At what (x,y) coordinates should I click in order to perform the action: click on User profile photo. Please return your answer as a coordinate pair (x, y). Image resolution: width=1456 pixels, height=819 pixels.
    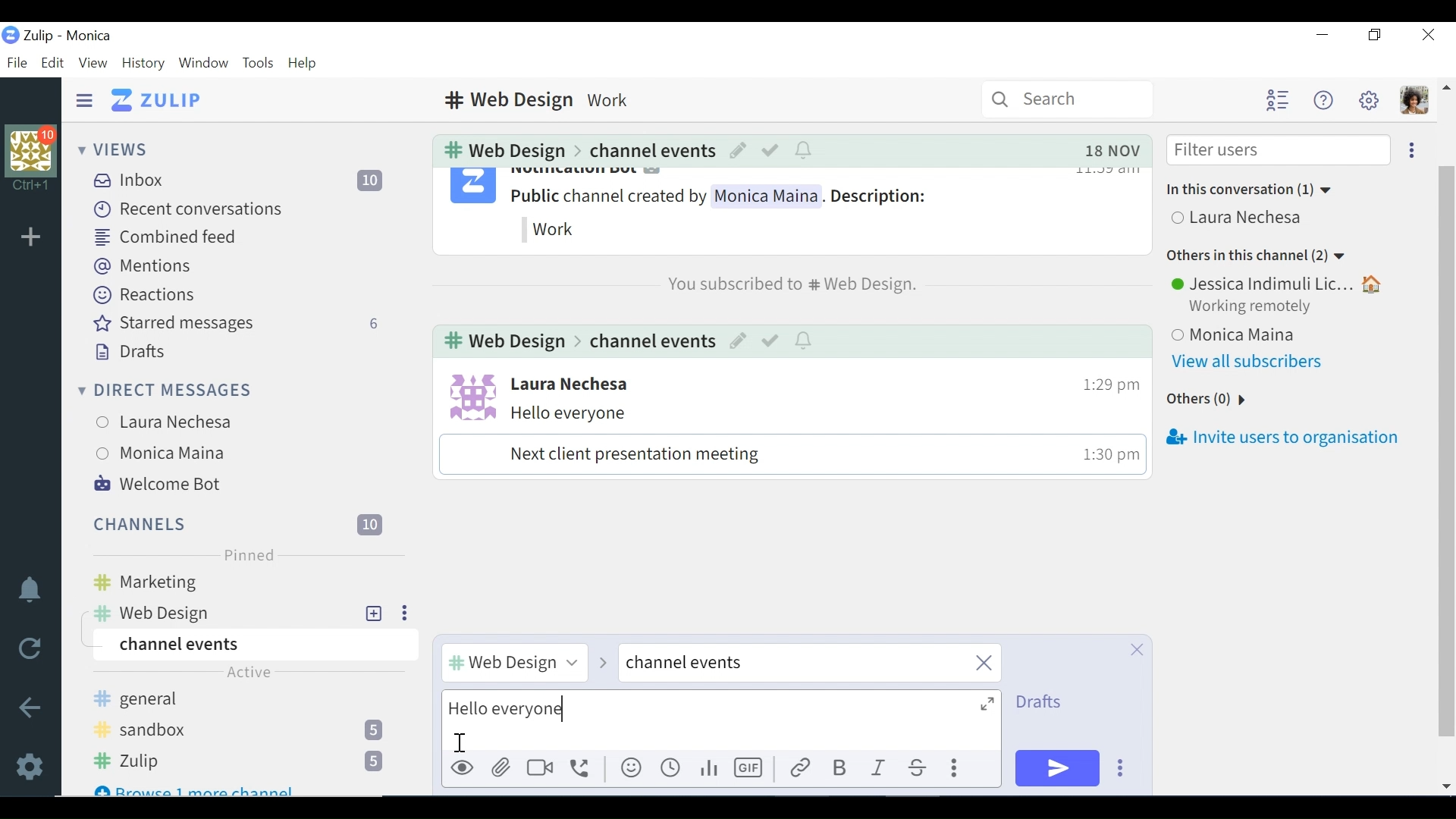
    Looking at the image, I should click on (468, 395).